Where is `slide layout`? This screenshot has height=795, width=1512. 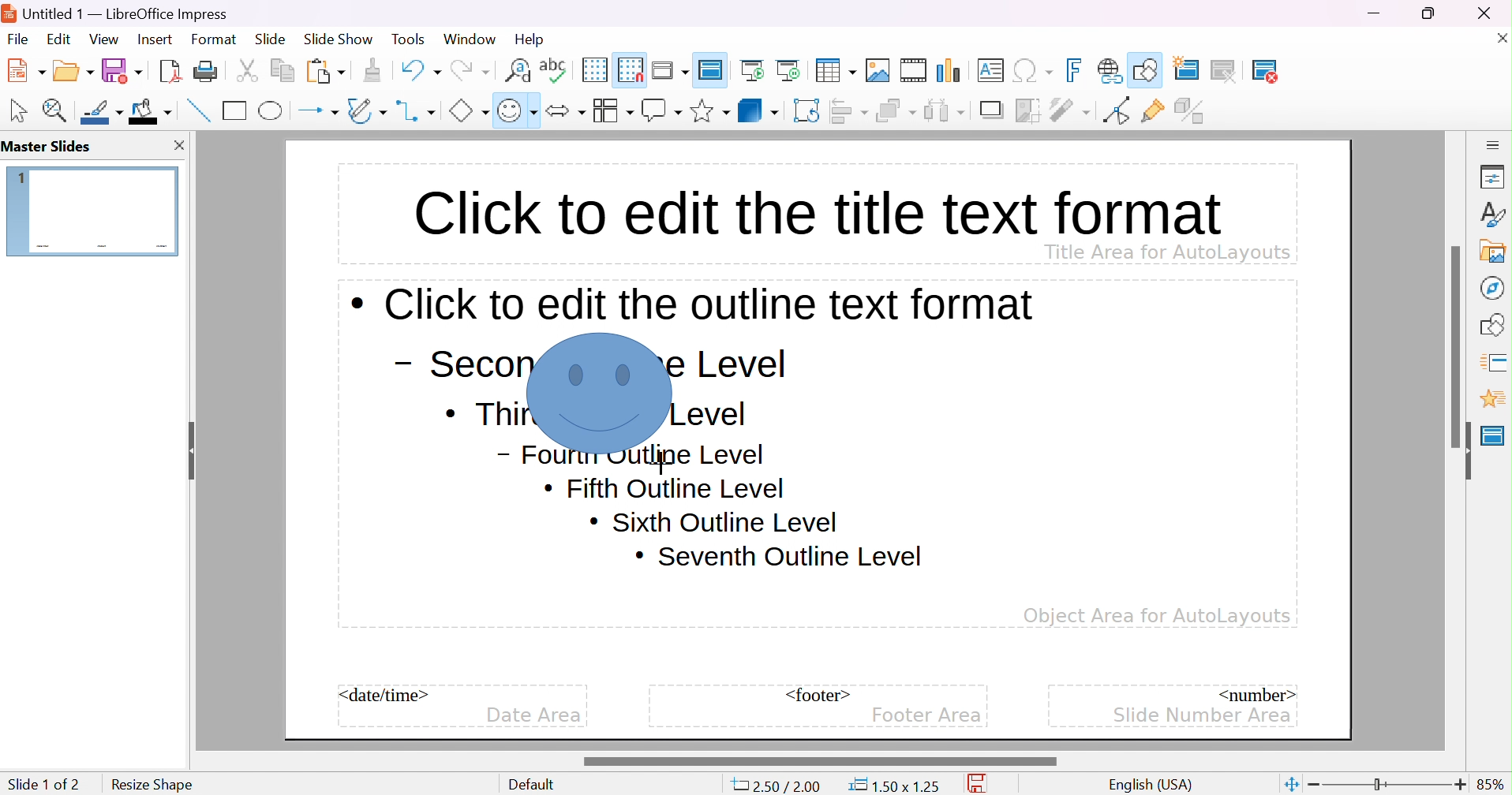
slide layout is located at coordinates (1319, 70).